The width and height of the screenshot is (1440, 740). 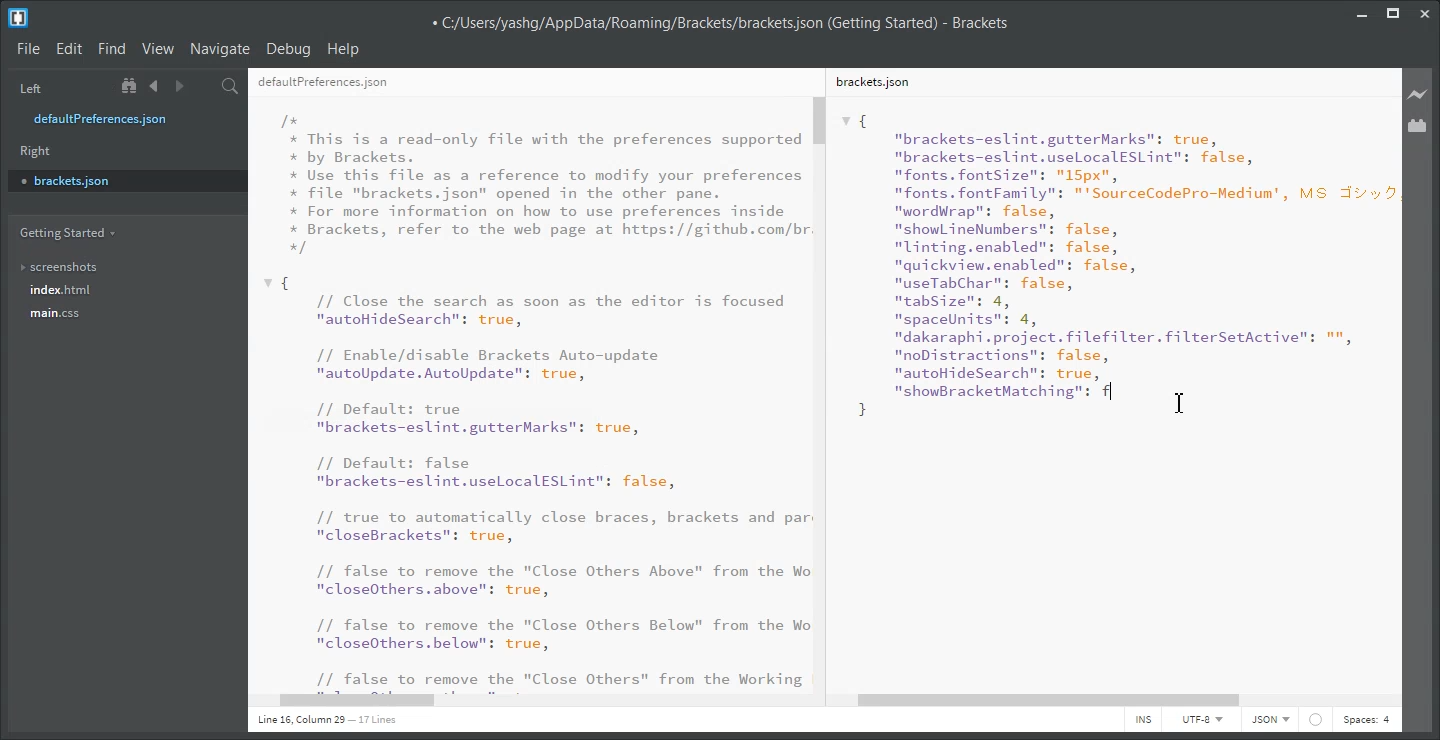 I want to click on UTF-8, so click(x=1201, y=719).